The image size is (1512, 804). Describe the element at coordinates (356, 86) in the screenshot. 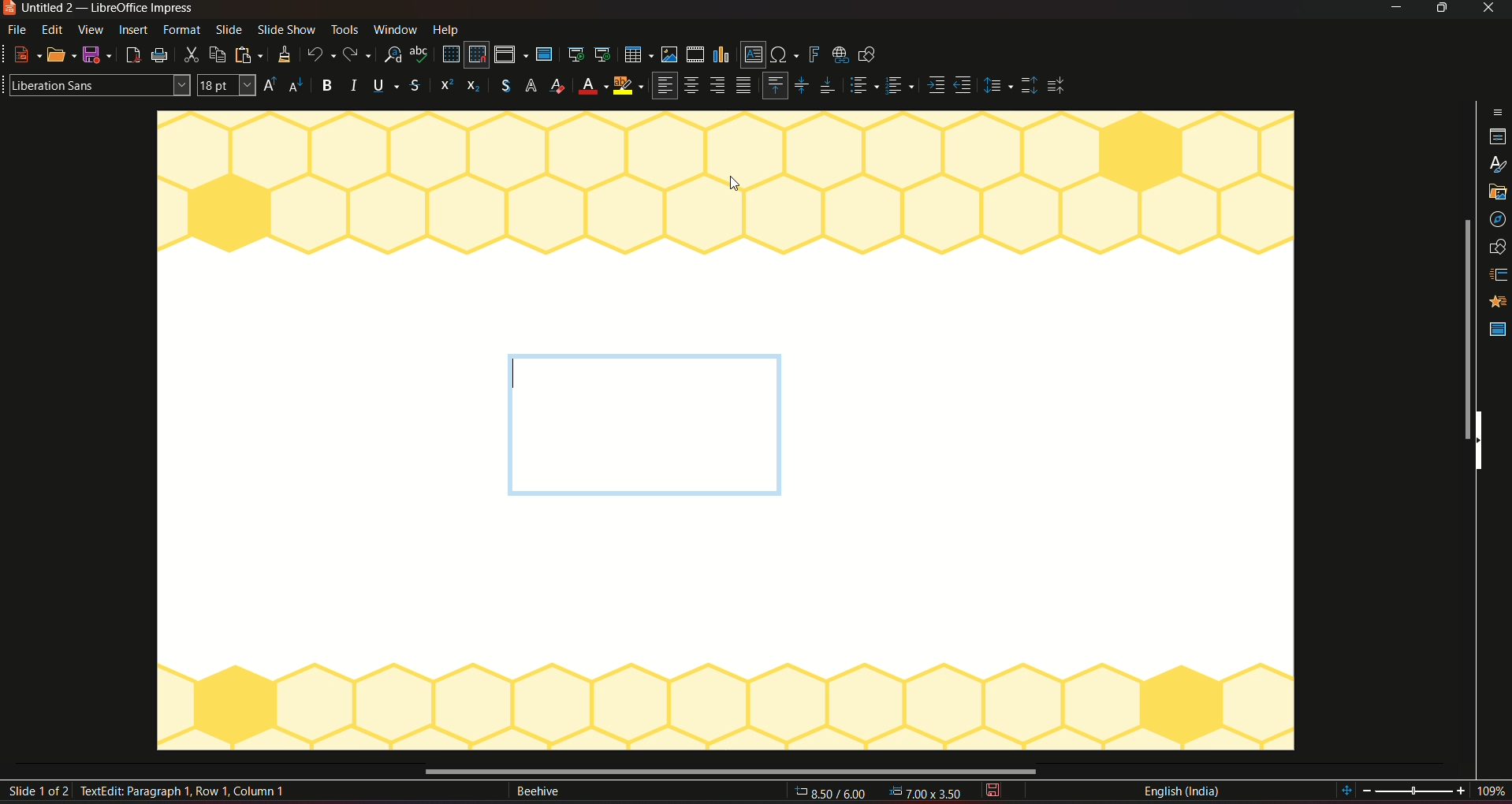

I see `Italic` at that location.